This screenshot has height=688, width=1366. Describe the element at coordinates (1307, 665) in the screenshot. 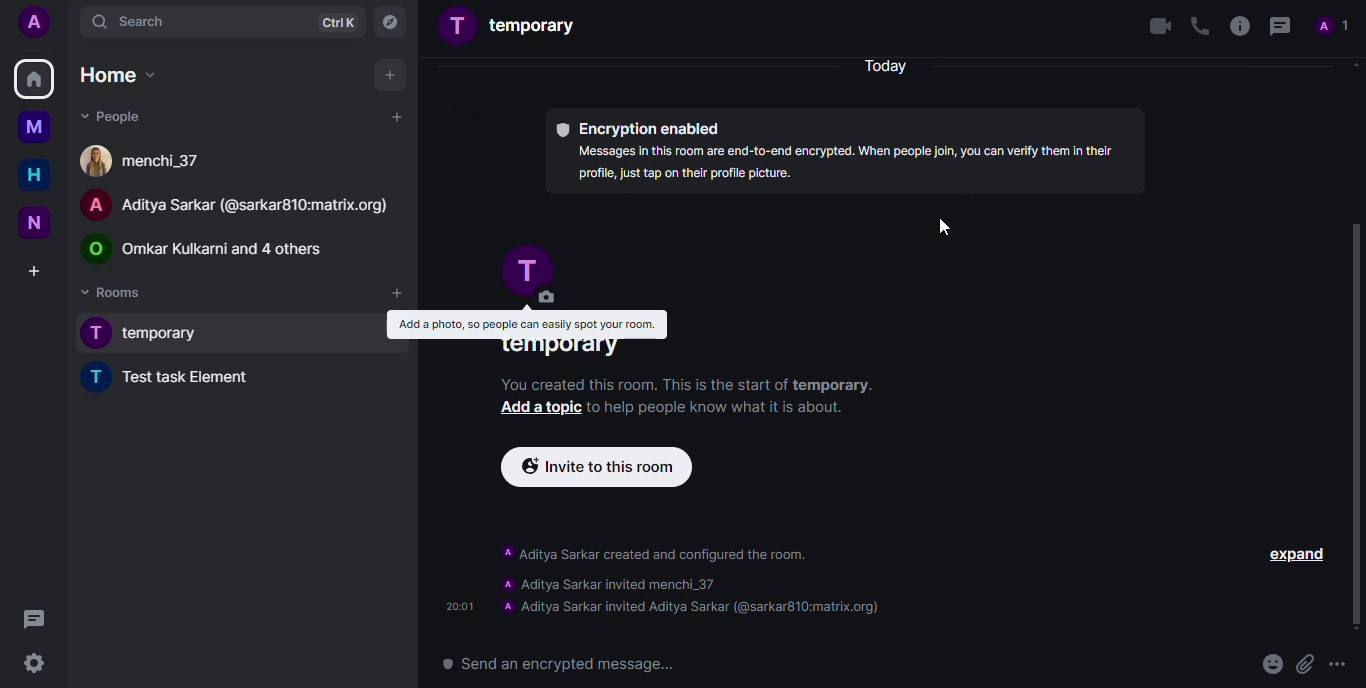

I see `attach` at that location.